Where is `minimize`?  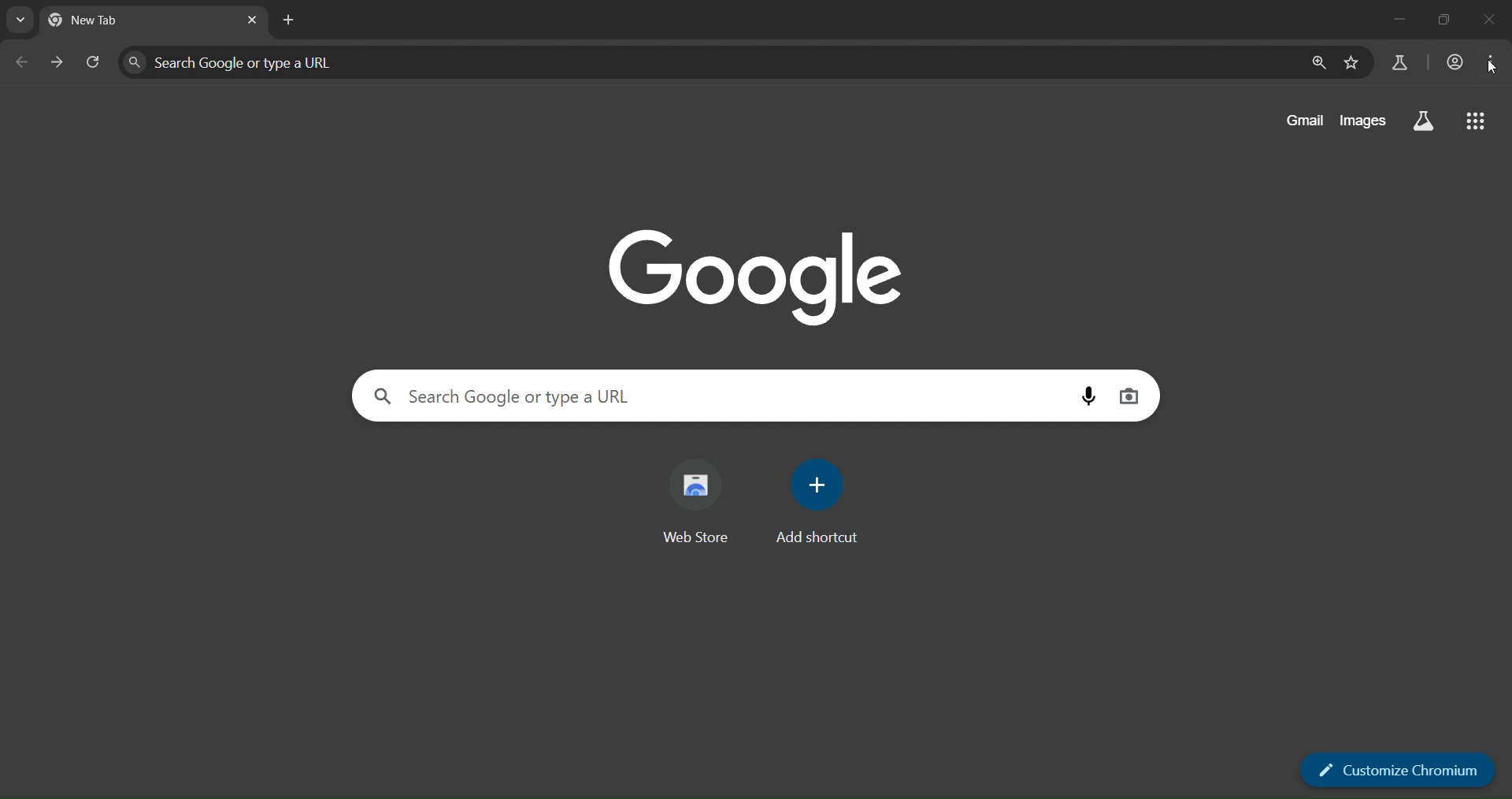 minimize is located at coordinates (1385, 21).